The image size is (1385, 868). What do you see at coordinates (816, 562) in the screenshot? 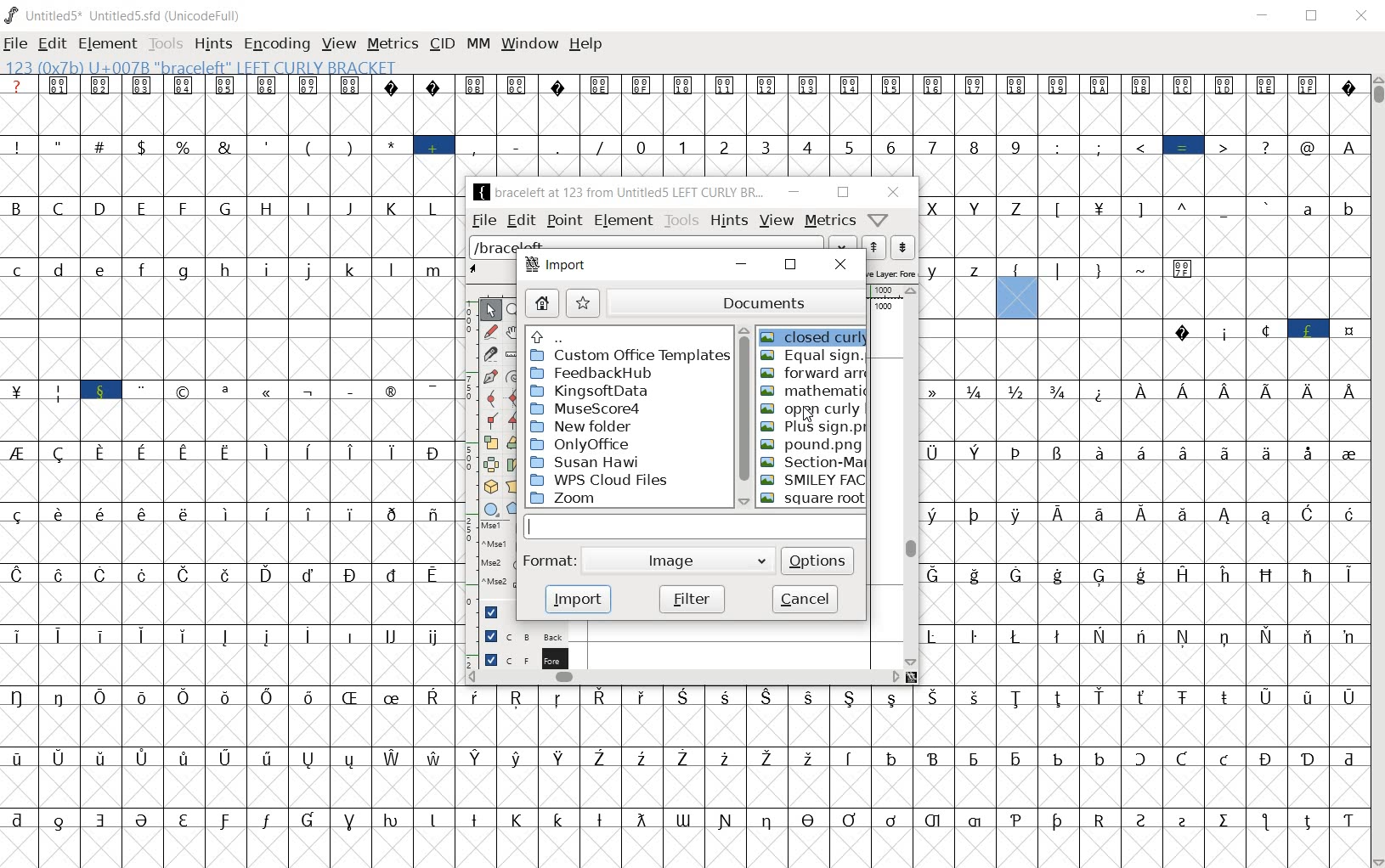
I see `options` at bounding box center [816, 562].